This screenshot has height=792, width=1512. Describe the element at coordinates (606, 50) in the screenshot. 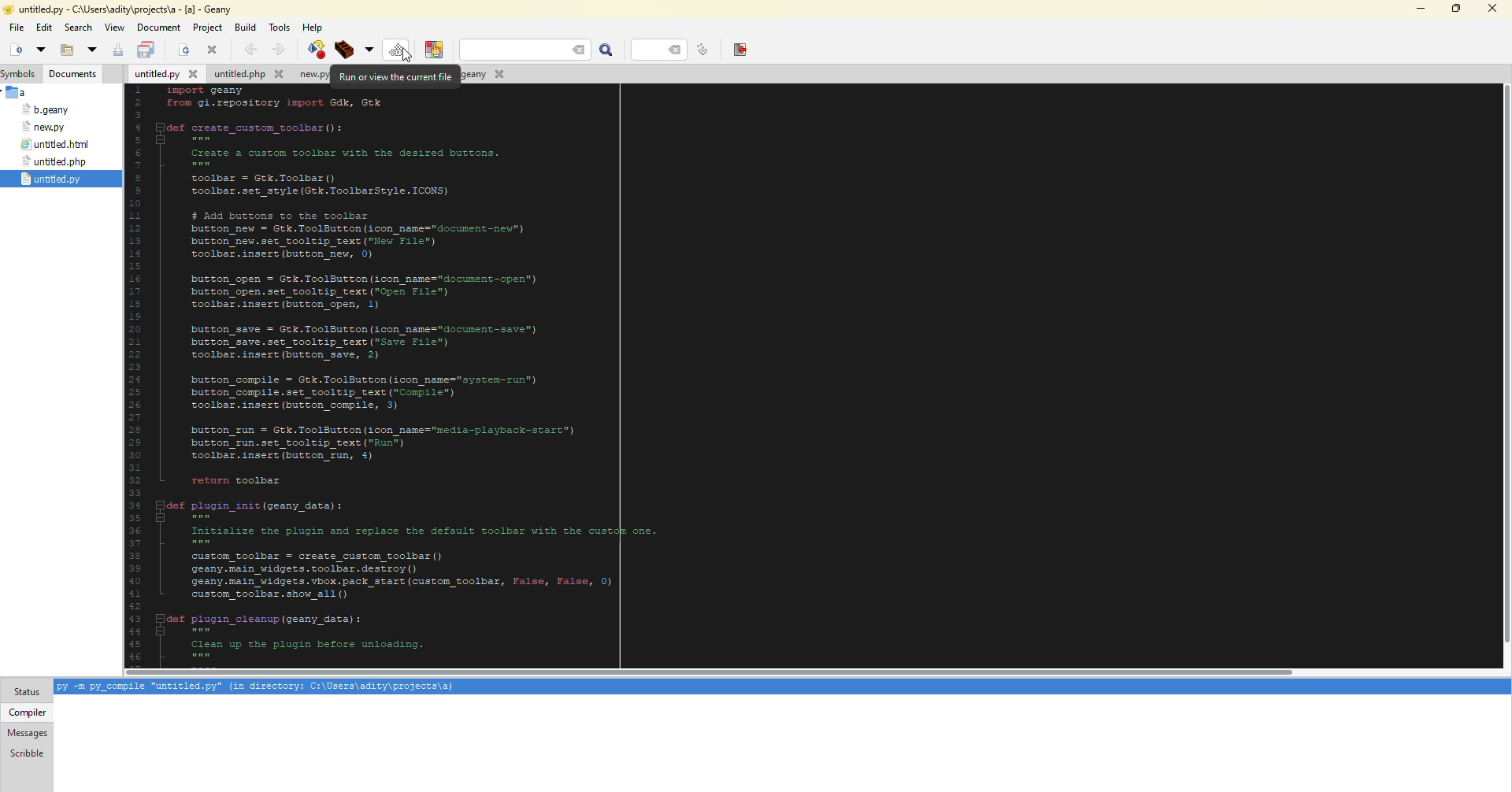

I see `search` at that location.